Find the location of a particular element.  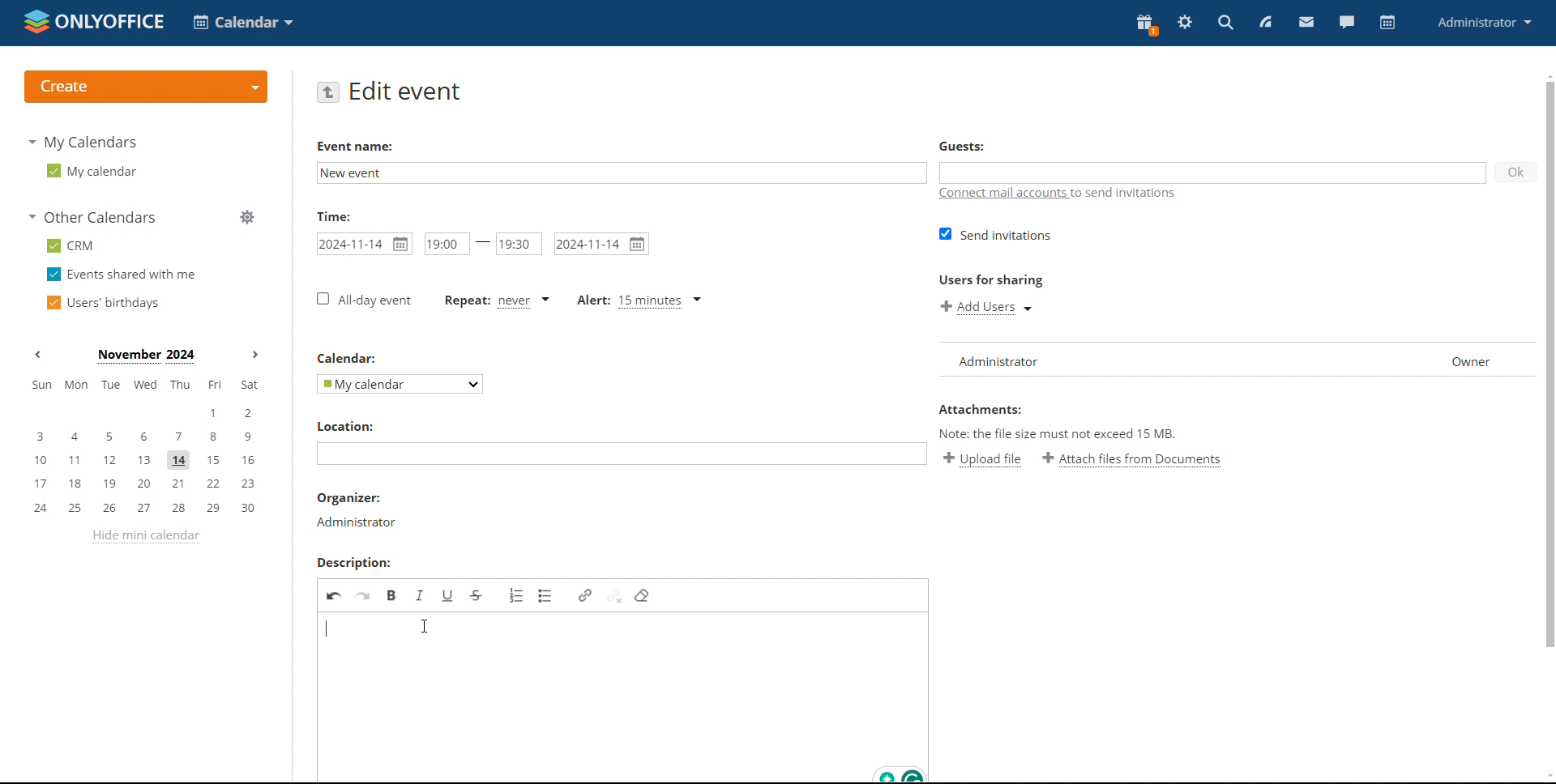

logo is located at coordinates (94, 23).